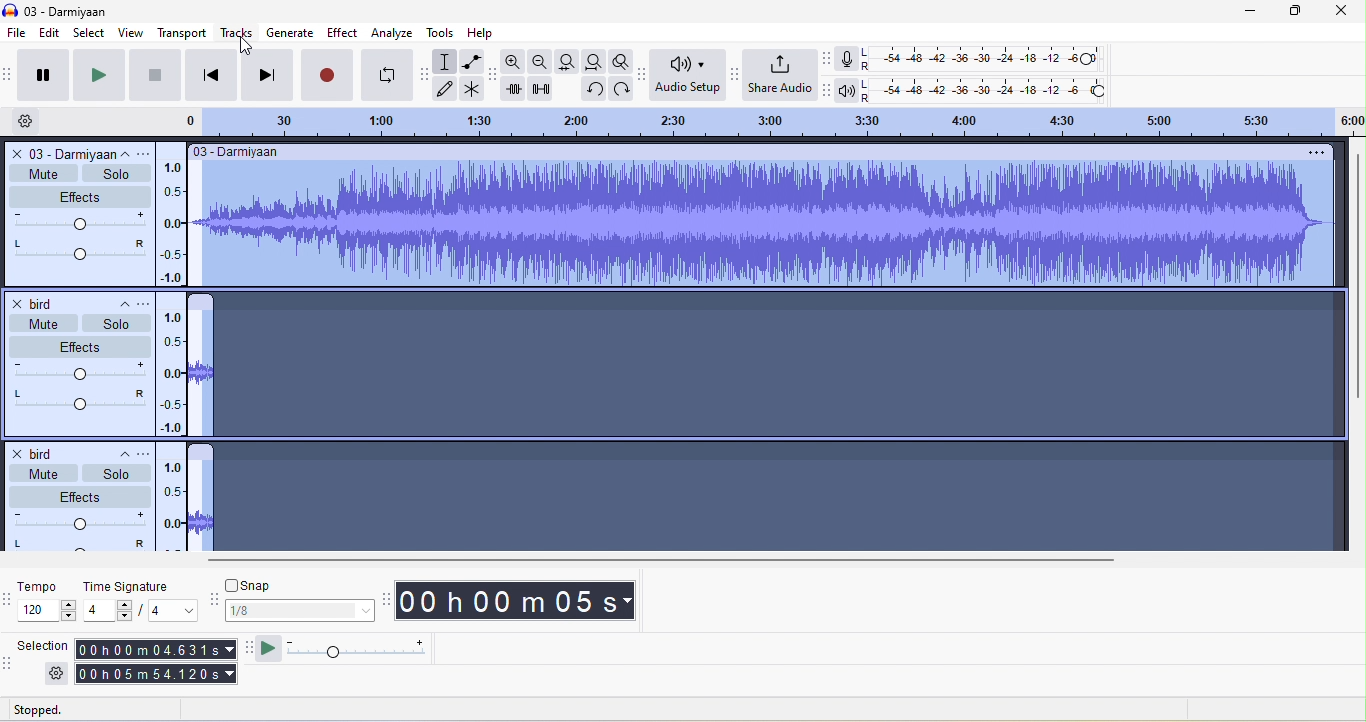 Image resolution: width=1366 pixels, height=722 pixels. What do you see at coordinates (117, 301) in the screenshot?
I see `collapse` at bounding box center [117, 301].